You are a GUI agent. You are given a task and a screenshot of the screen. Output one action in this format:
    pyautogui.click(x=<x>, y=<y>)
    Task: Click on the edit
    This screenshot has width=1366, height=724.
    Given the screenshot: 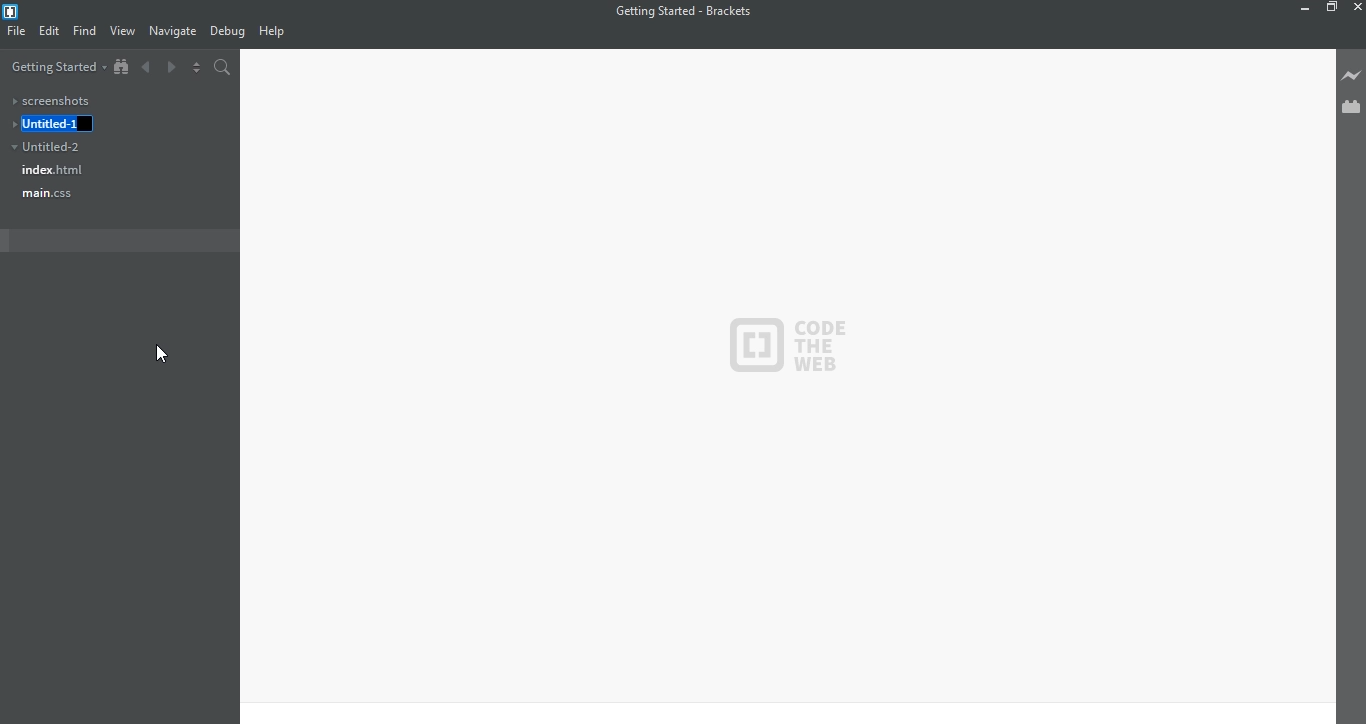 What is the action you would take?
    pyautogui.click(x=52, y=32)
    